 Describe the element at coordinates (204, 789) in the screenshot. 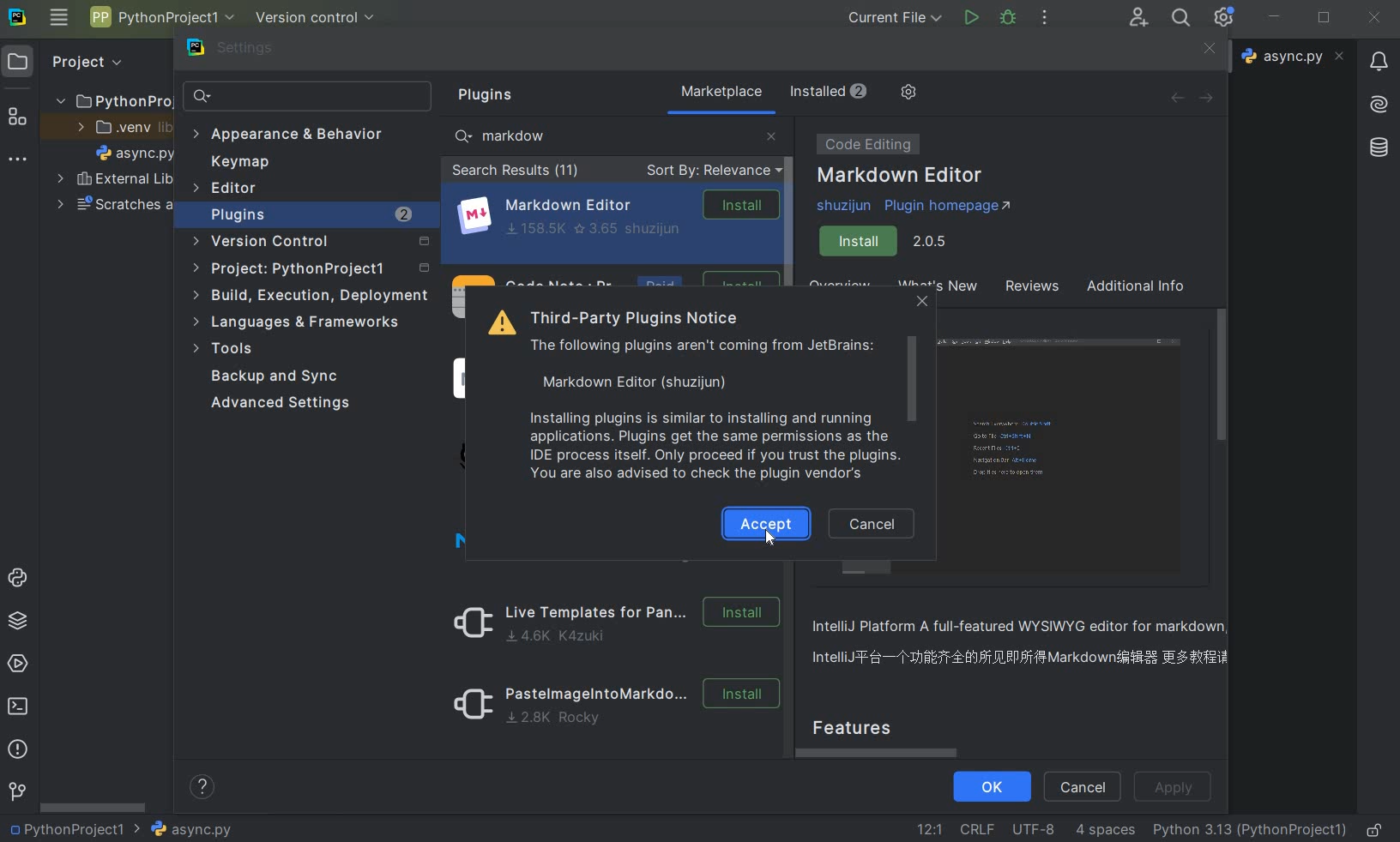

I see `help` at that location.